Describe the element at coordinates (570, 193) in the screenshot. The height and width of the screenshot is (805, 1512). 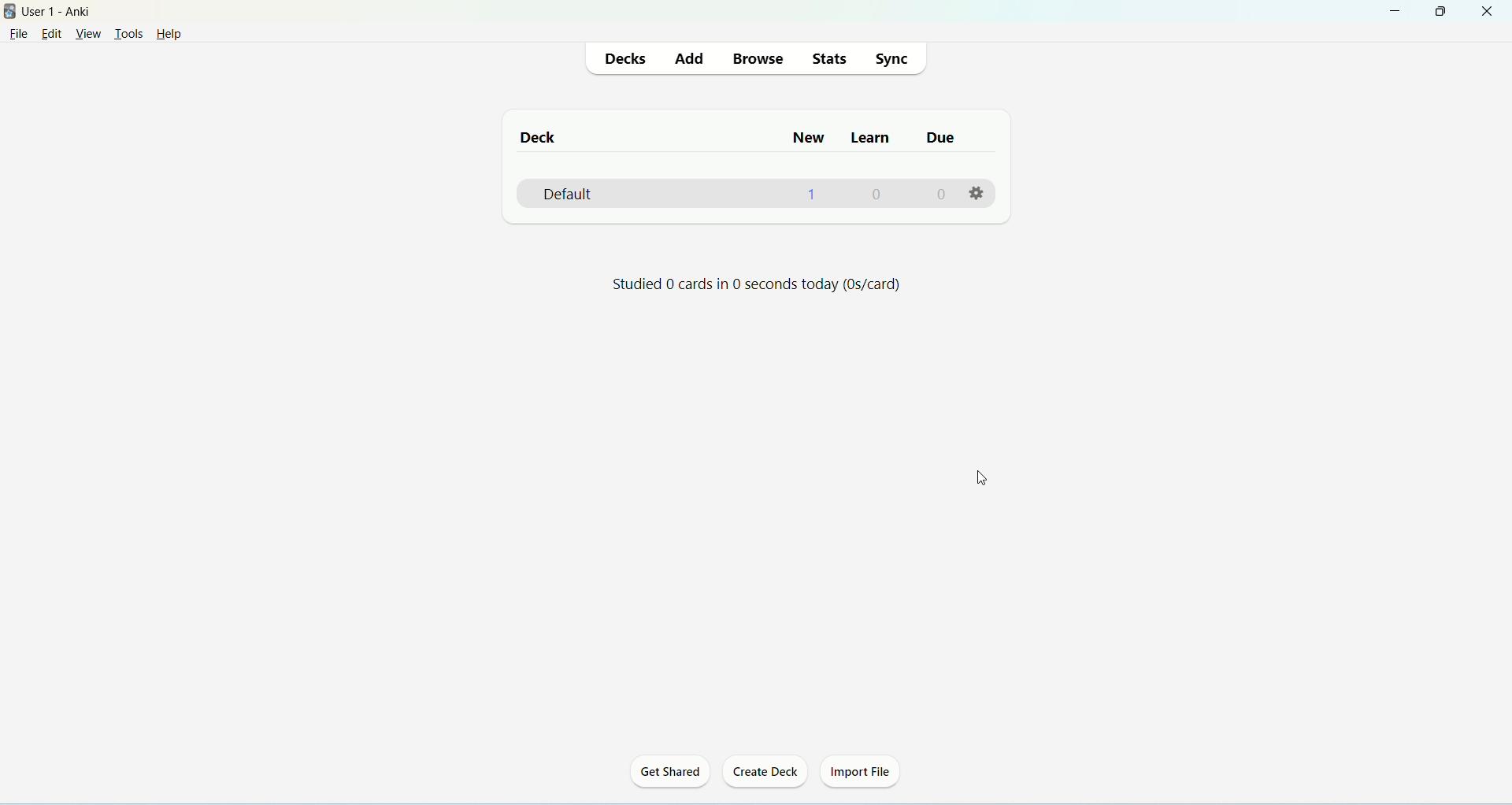
I see `default` at that location.